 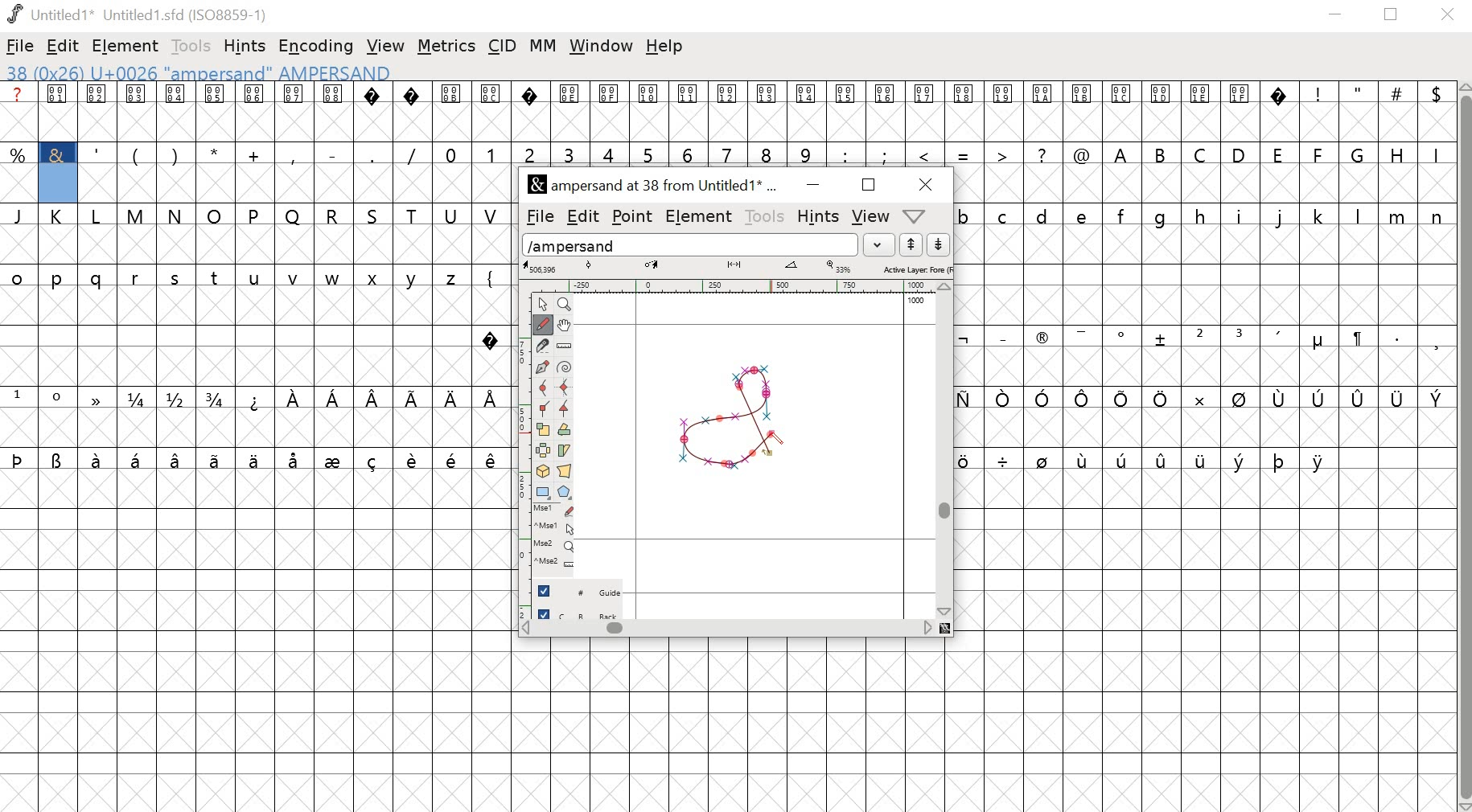 I want to click on symbol, so click(x=98, y=399).